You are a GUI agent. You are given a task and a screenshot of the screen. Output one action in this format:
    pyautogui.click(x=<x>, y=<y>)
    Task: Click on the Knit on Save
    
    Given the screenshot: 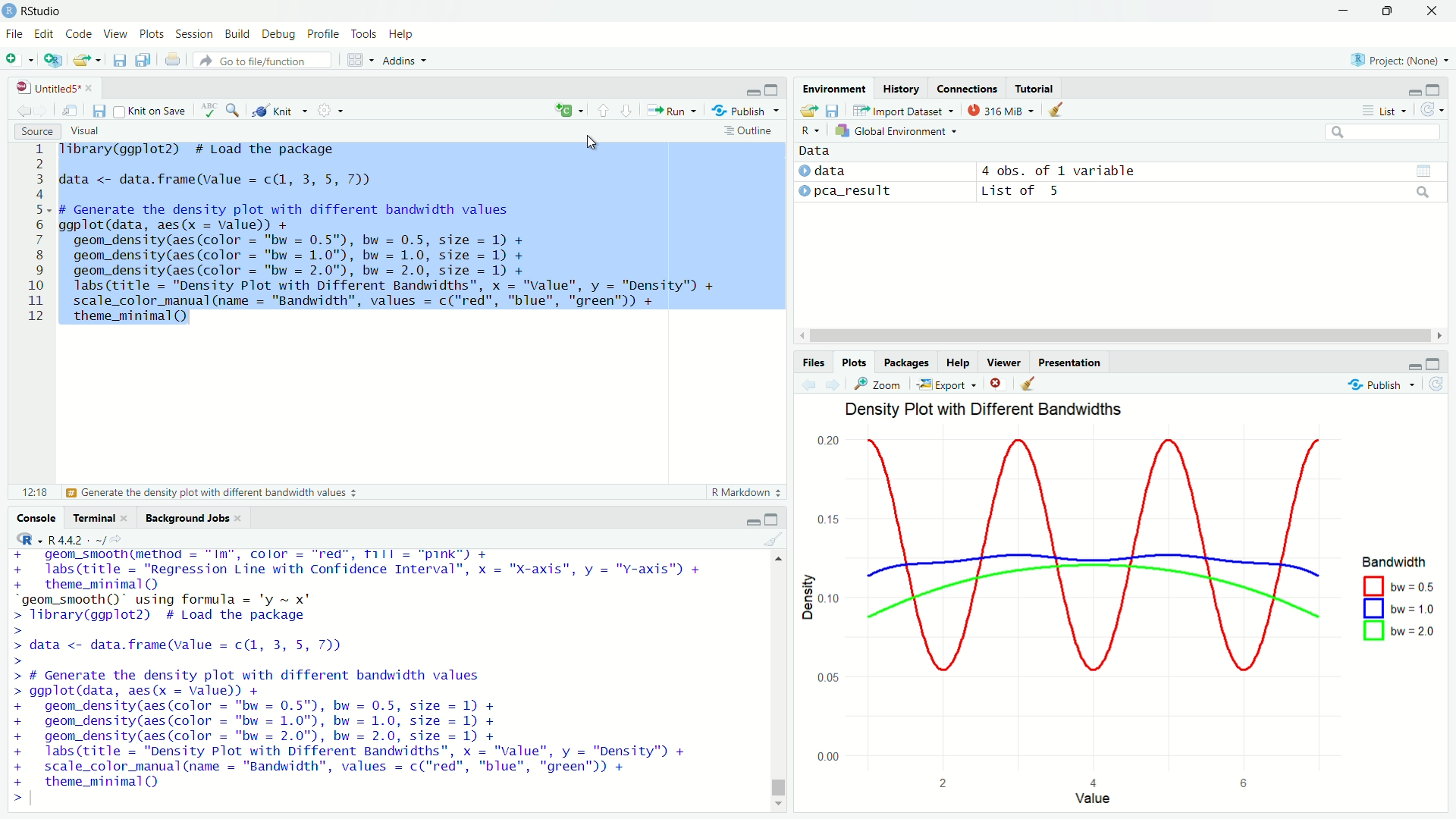 What is the action you would take?
    pyautogui.click(x=152, y=111)
    